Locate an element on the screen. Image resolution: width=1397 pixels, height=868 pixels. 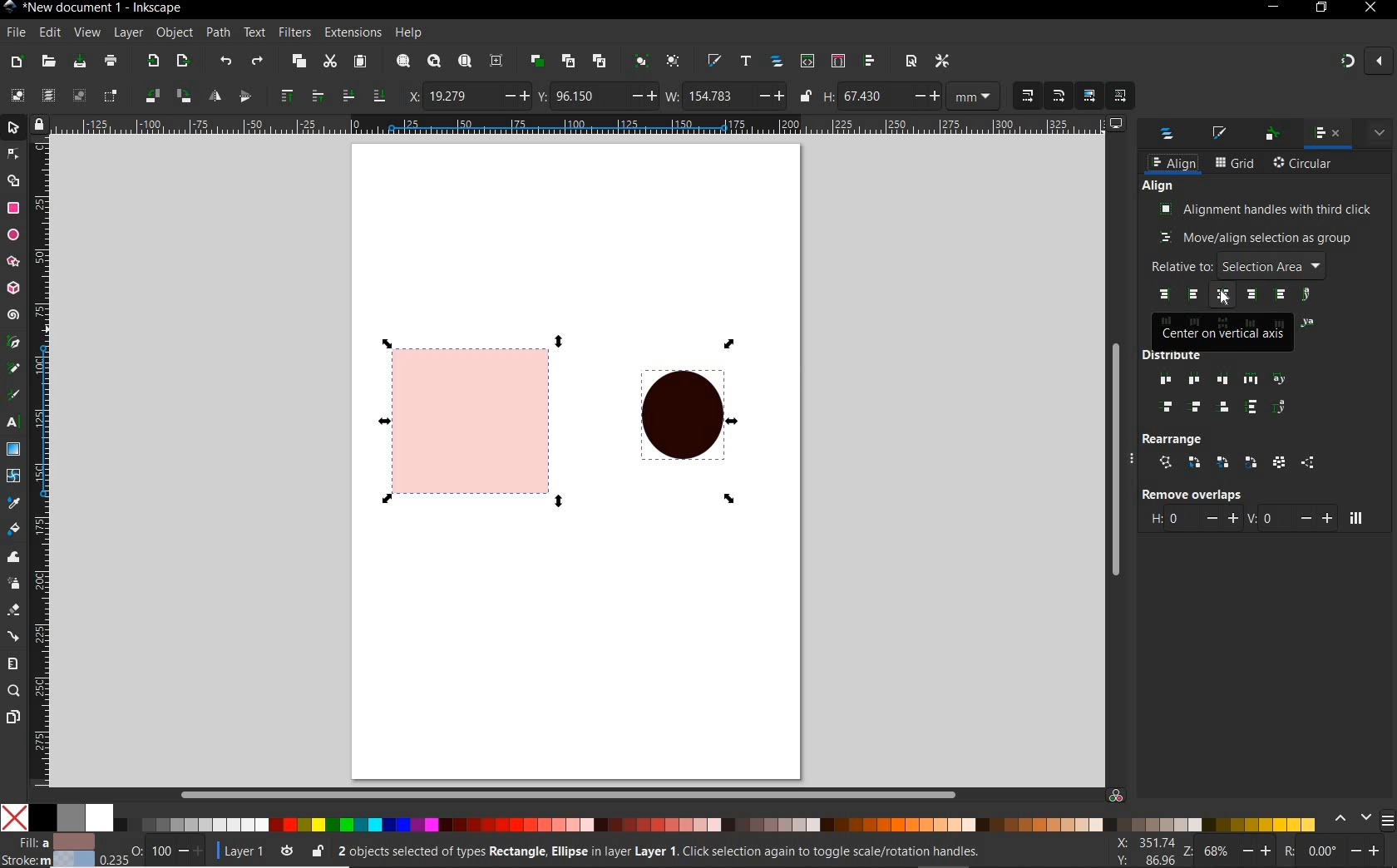
close is located at coordinates (1369, 8).